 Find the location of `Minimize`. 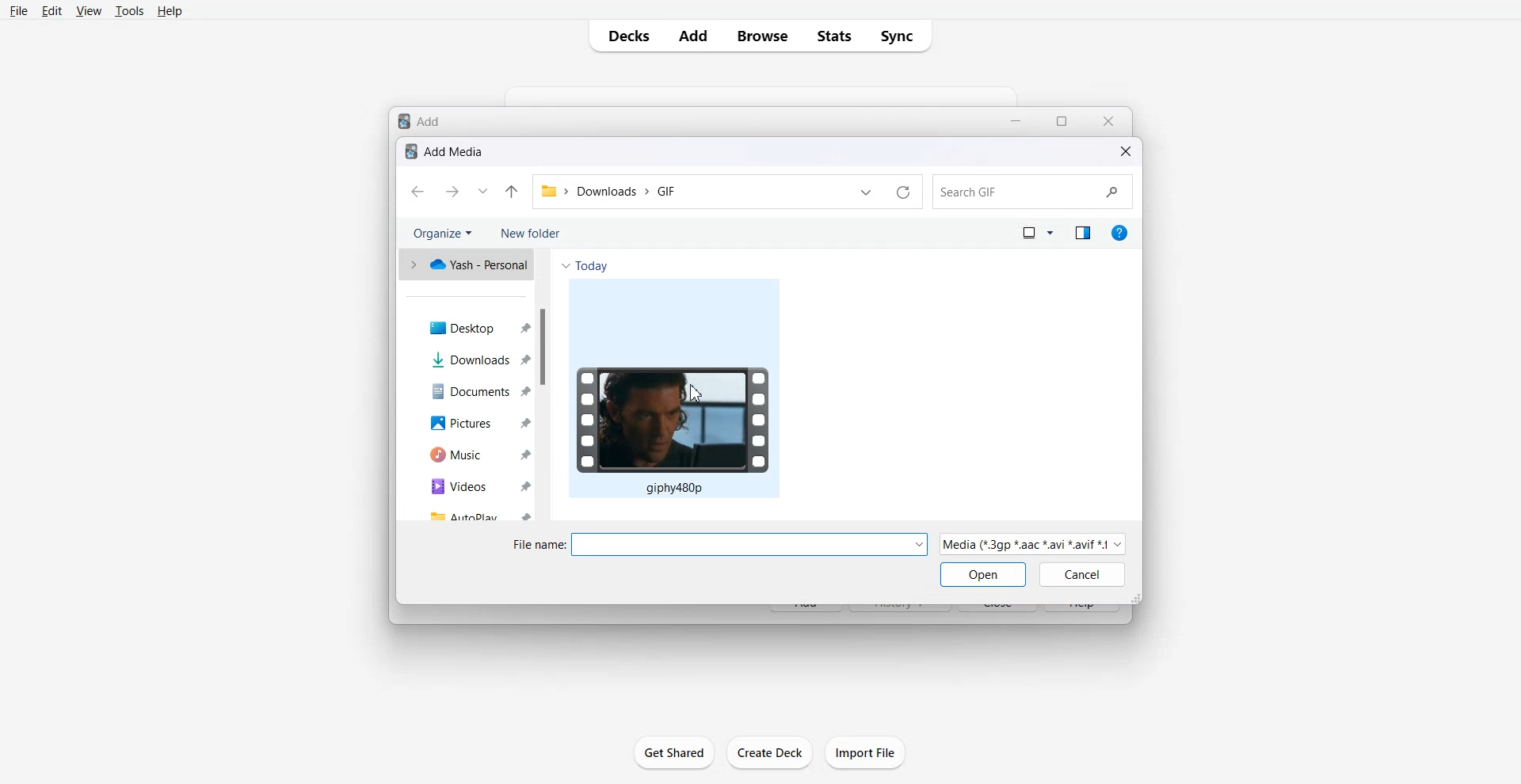

Minimize is located at coordinates (1018, 120).